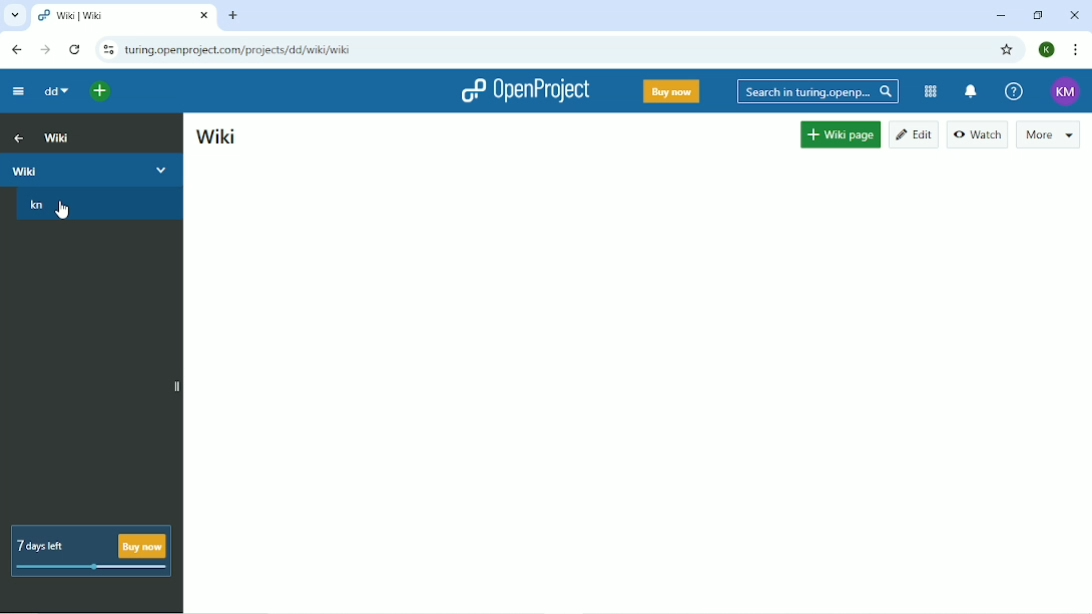 This screenshot has height=614, width=1092. What do you see at coordinates (73, 49) in the screenshot?
I see `Reload this page` at bounding box center [73, 49].